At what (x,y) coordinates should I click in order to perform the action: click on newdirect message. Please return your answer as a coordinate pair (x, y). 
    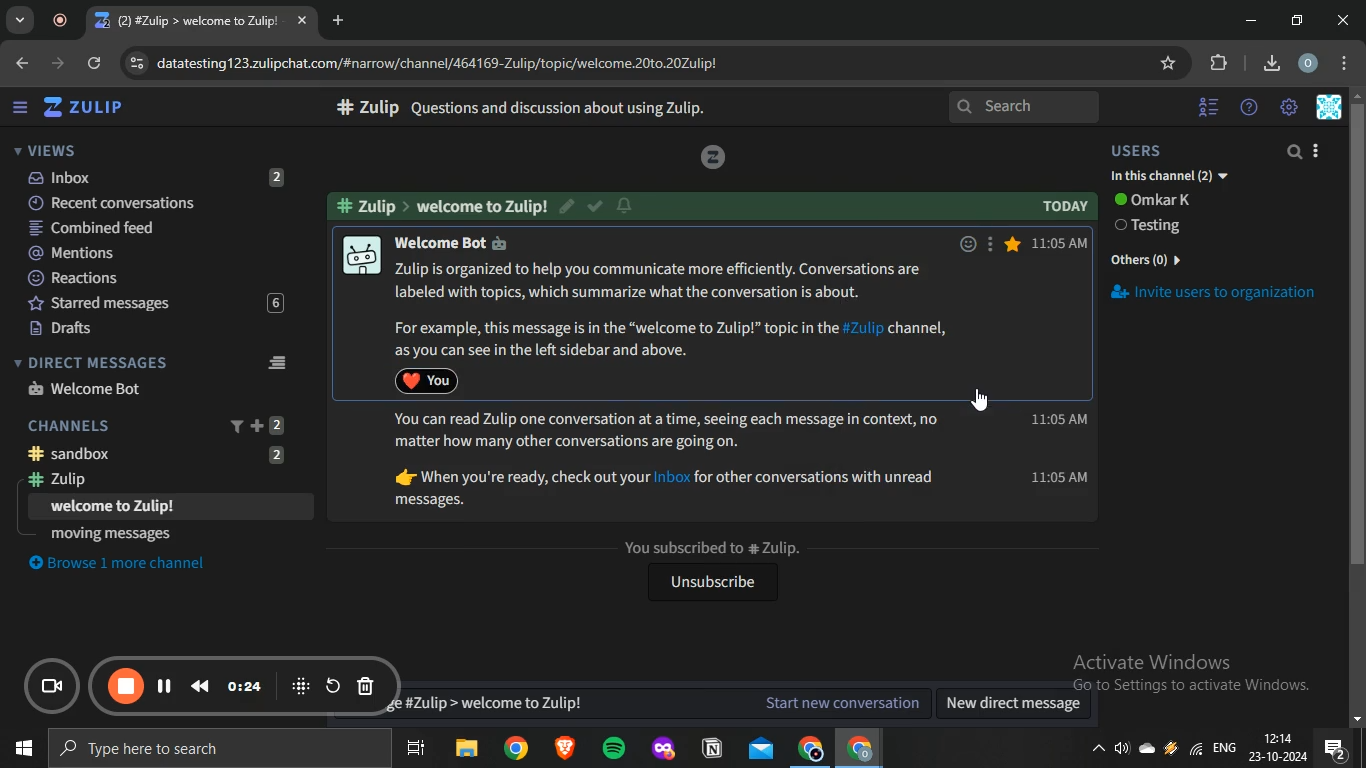
    Looking at the image, I should click on (1019, 705).